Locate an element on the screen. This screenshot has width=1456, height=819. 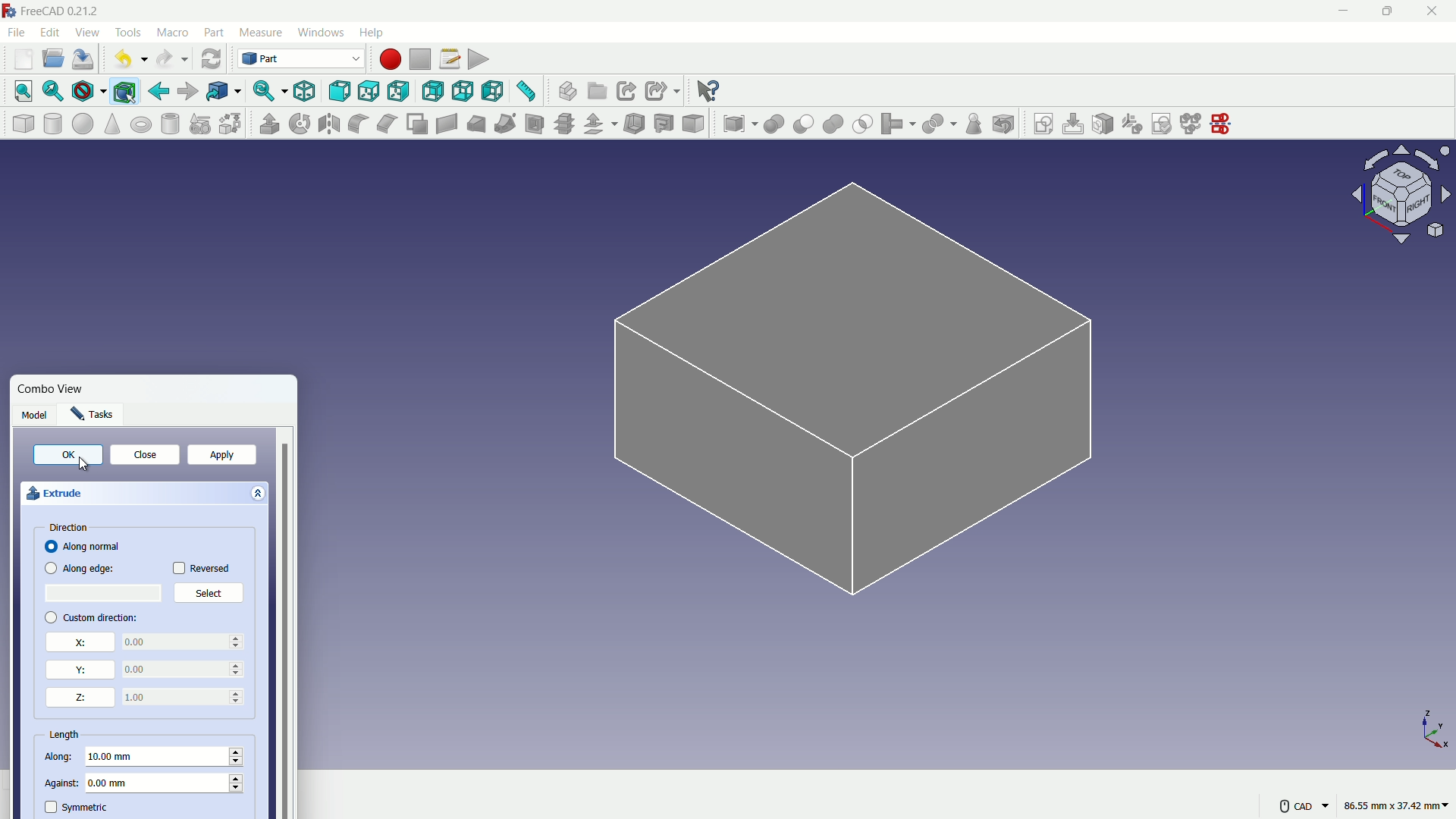
fit all is located at coordinates (25, 91).